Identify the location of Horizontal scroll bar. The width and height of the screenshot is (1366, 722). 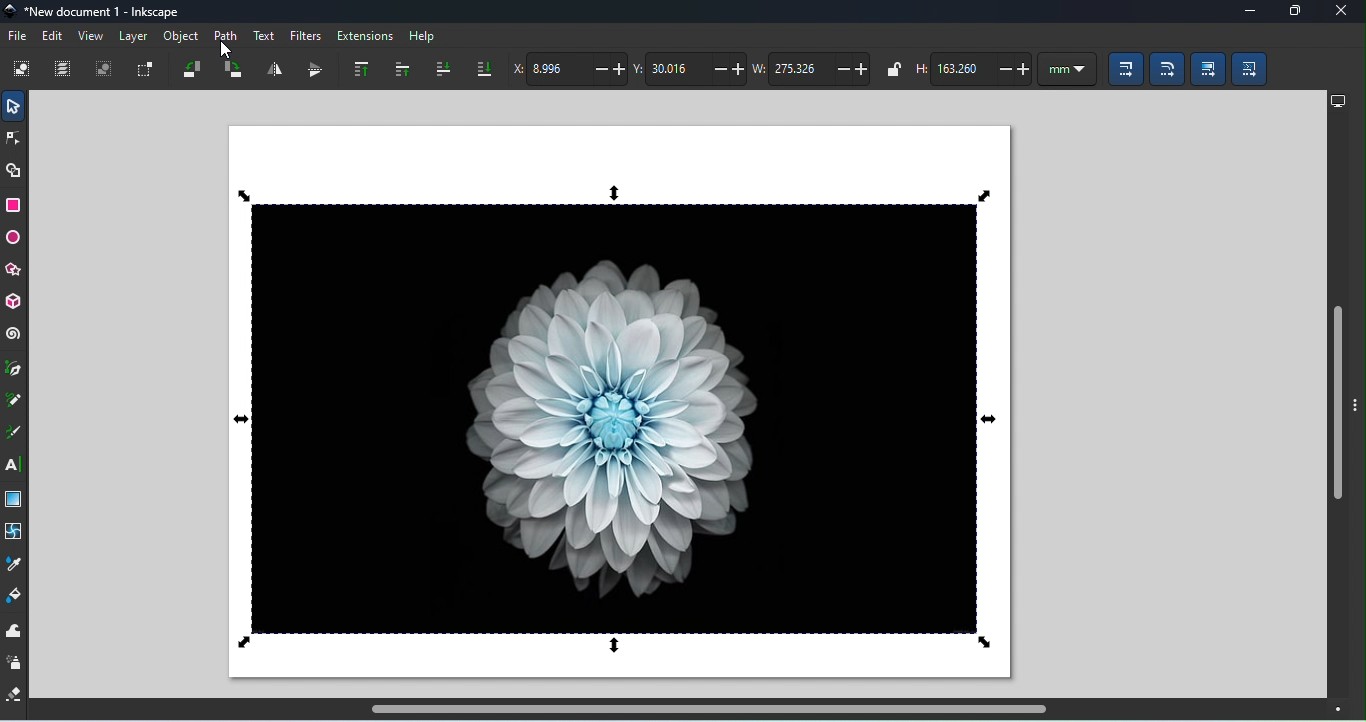
(706, 713).